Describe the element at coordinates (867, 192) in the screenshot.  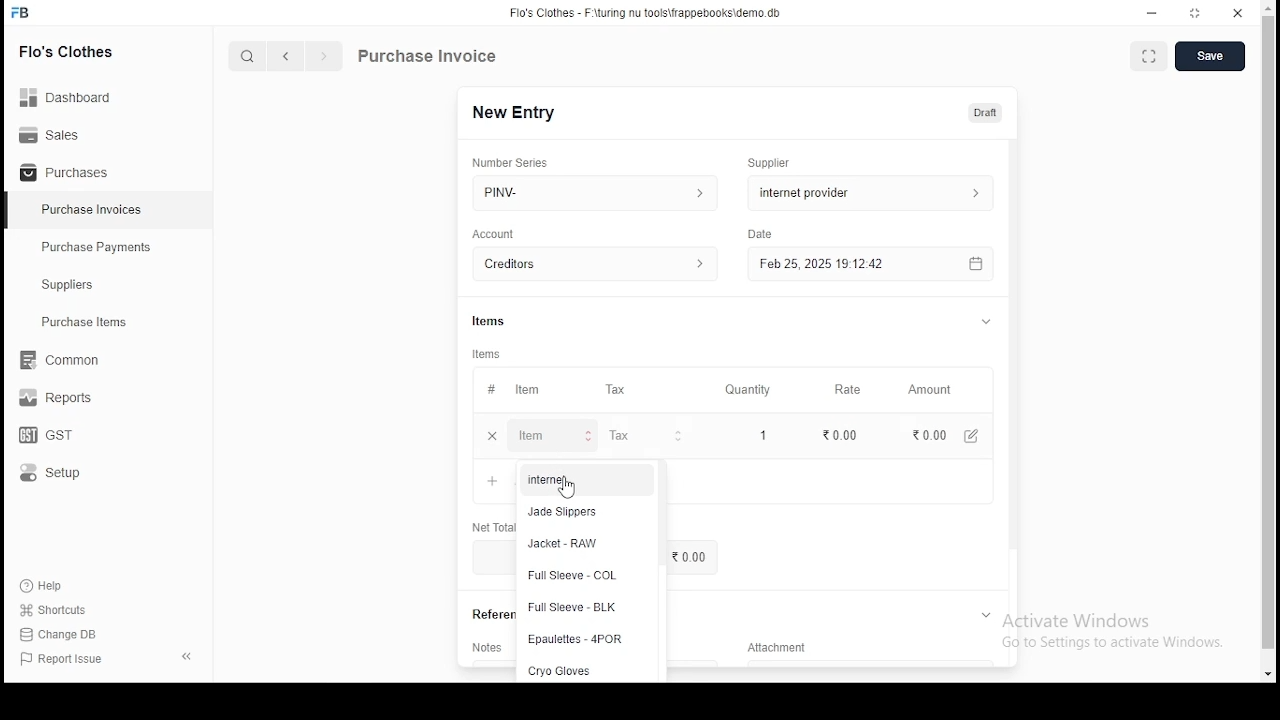
I see `supplier` at that location.